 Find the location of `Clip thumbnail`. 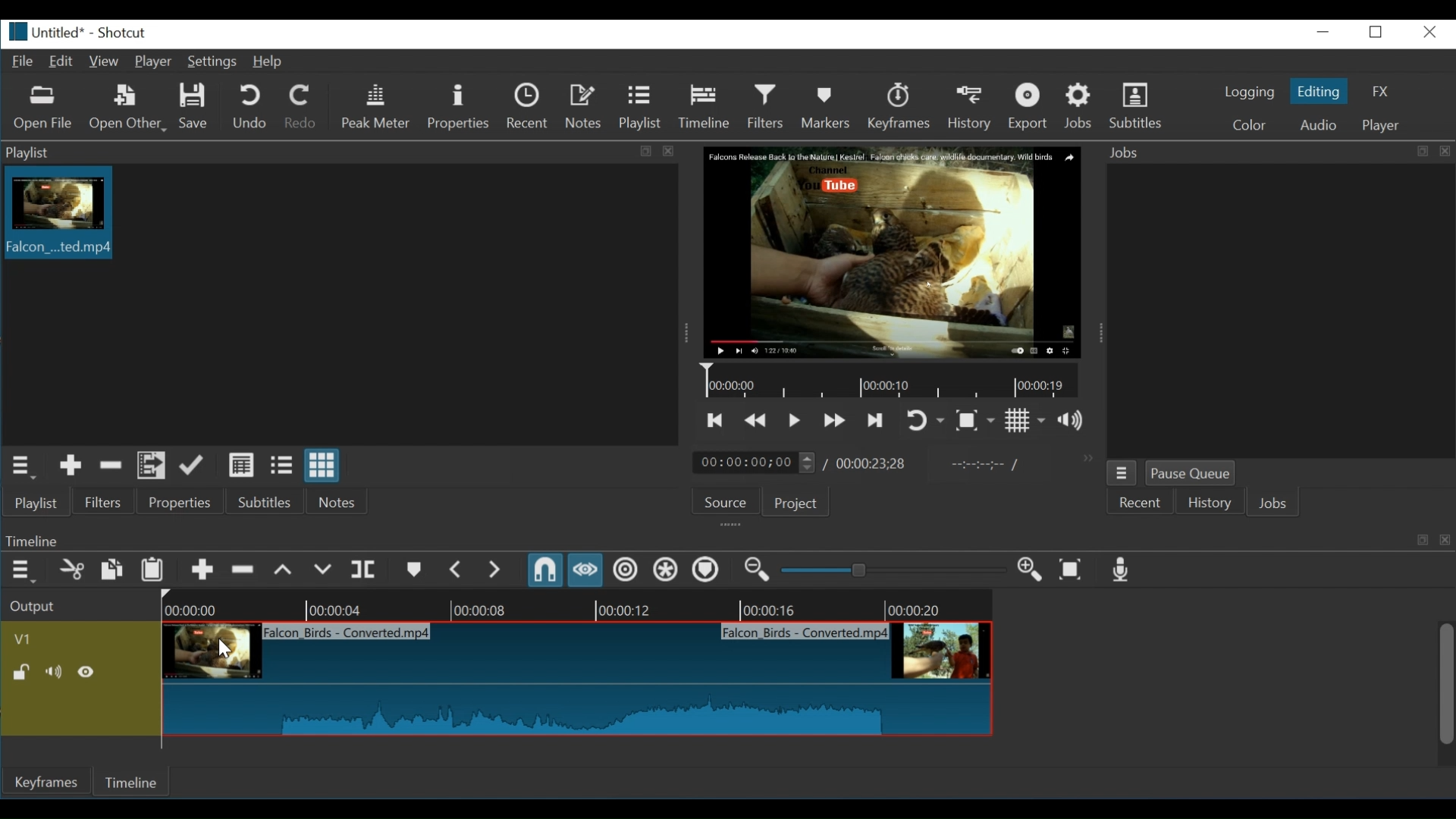

Clip thumbnail is located at coordinates (57, 214).